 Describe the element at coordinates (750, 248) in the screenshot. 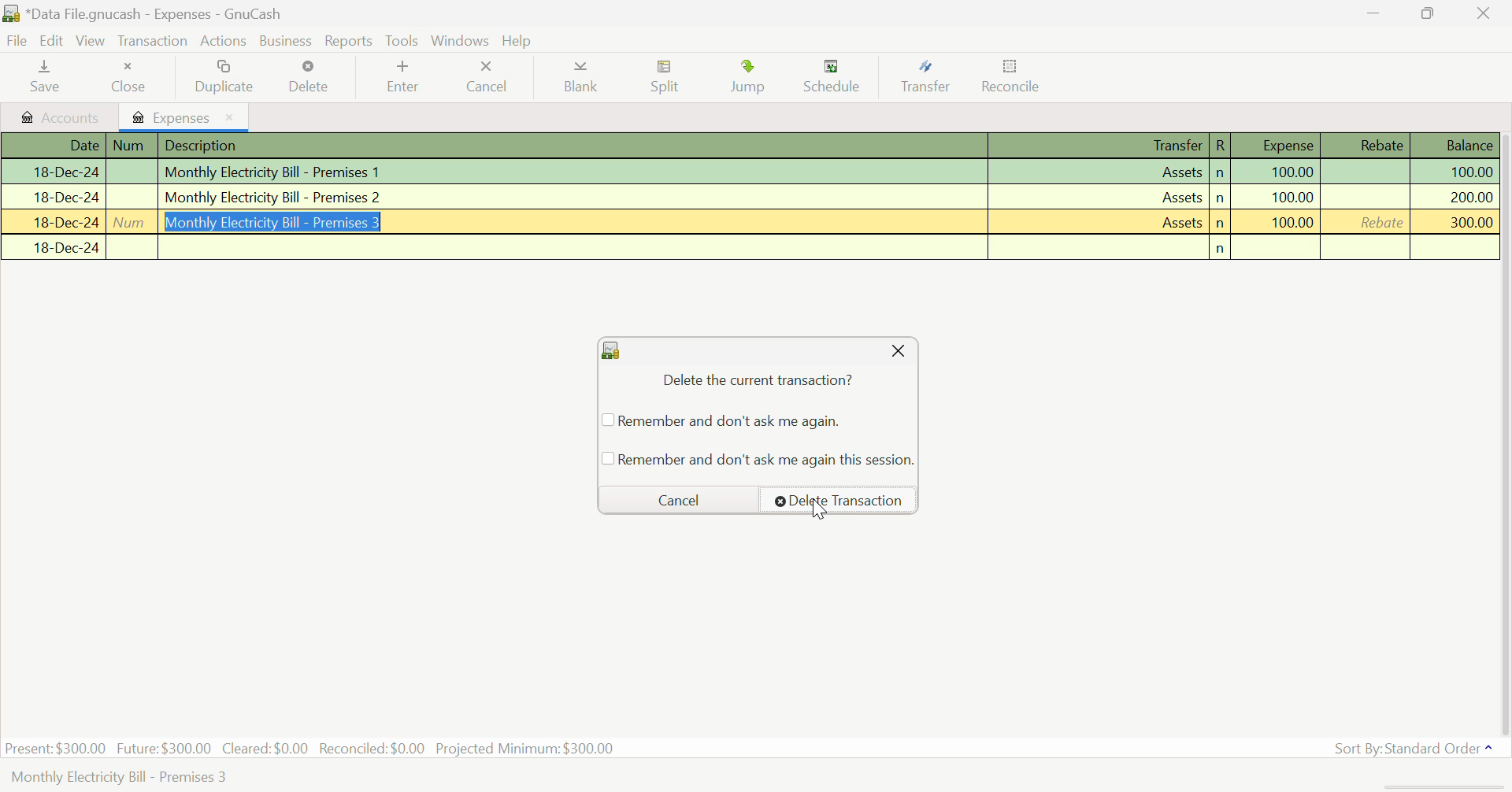

I see `New Transaction Entry Row` at that location.